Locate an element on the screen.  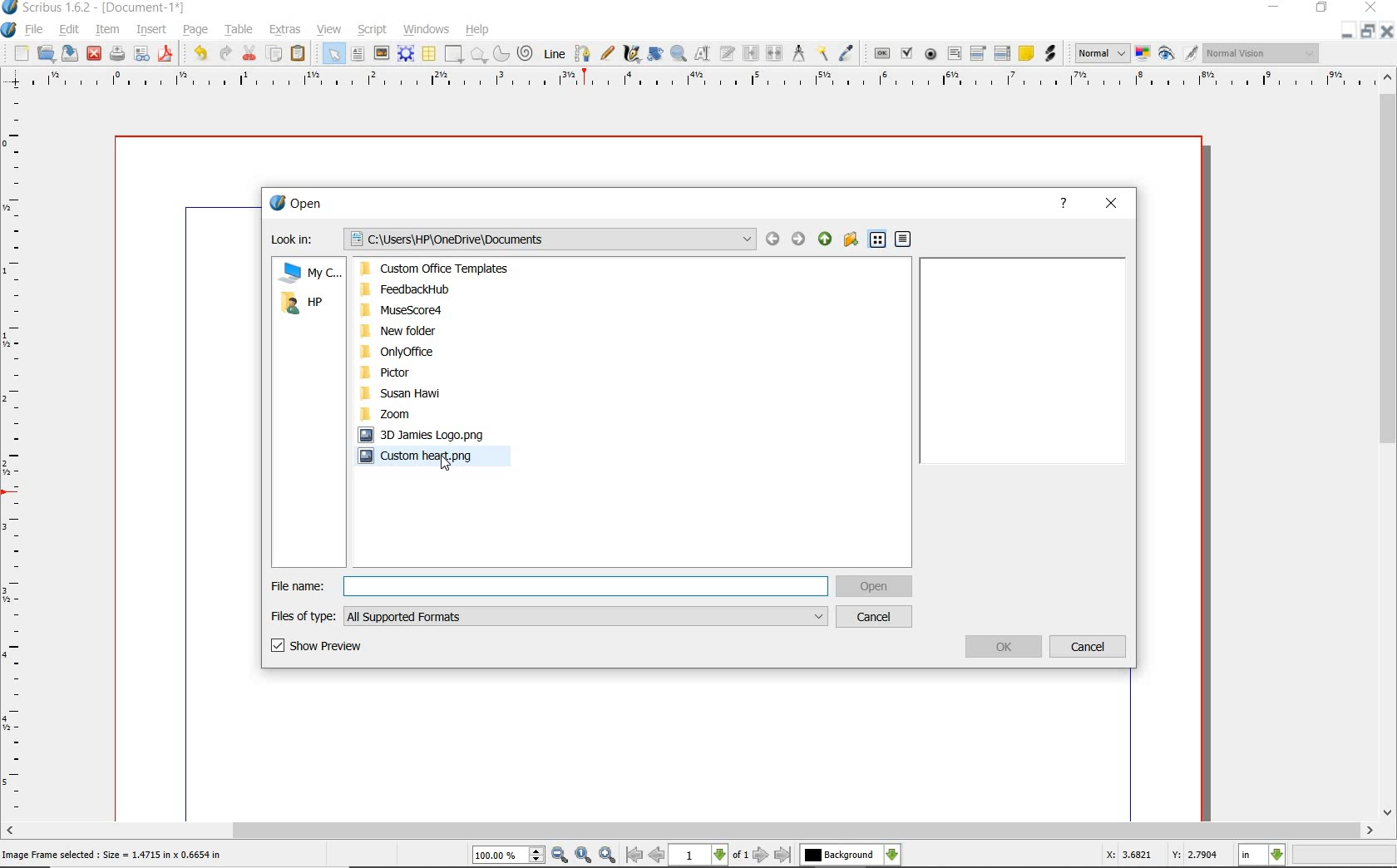
table is located at coordinates (430, 55).